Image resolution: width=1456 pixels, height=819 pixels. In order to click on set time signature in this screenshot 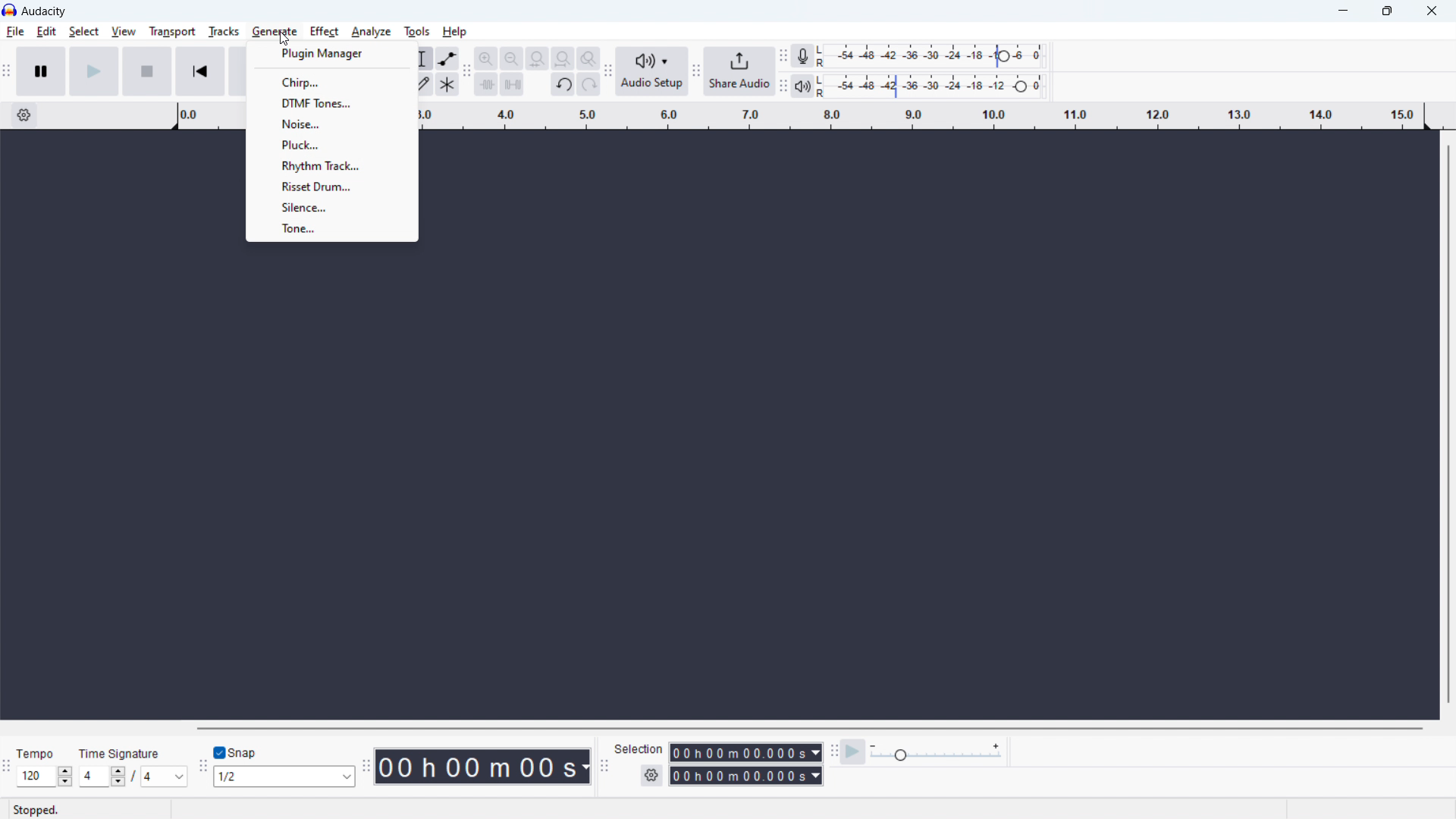, I will do `click(133, 777)`.